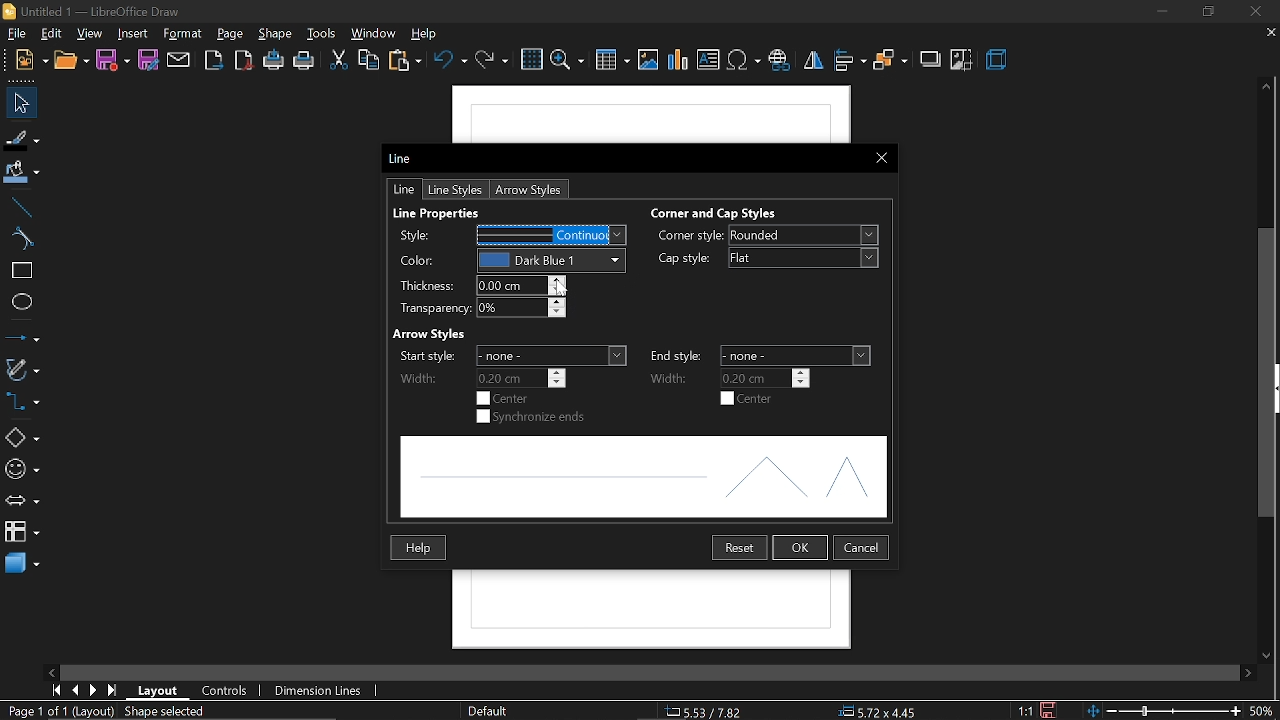  I want to click on symbol shapes, so click(21, 470).